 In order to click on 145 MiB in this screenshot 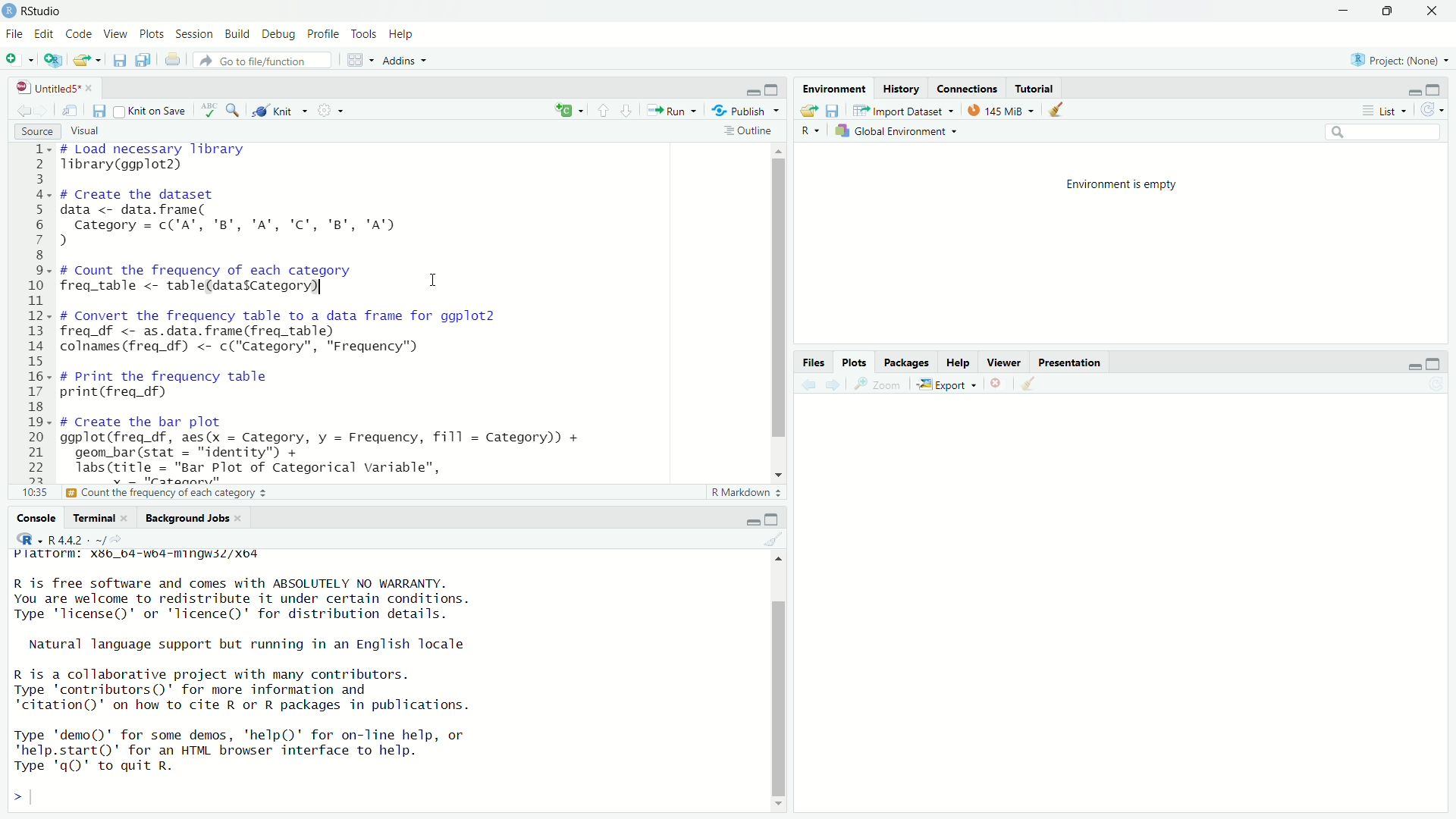, I will do `click(997, 111)`.